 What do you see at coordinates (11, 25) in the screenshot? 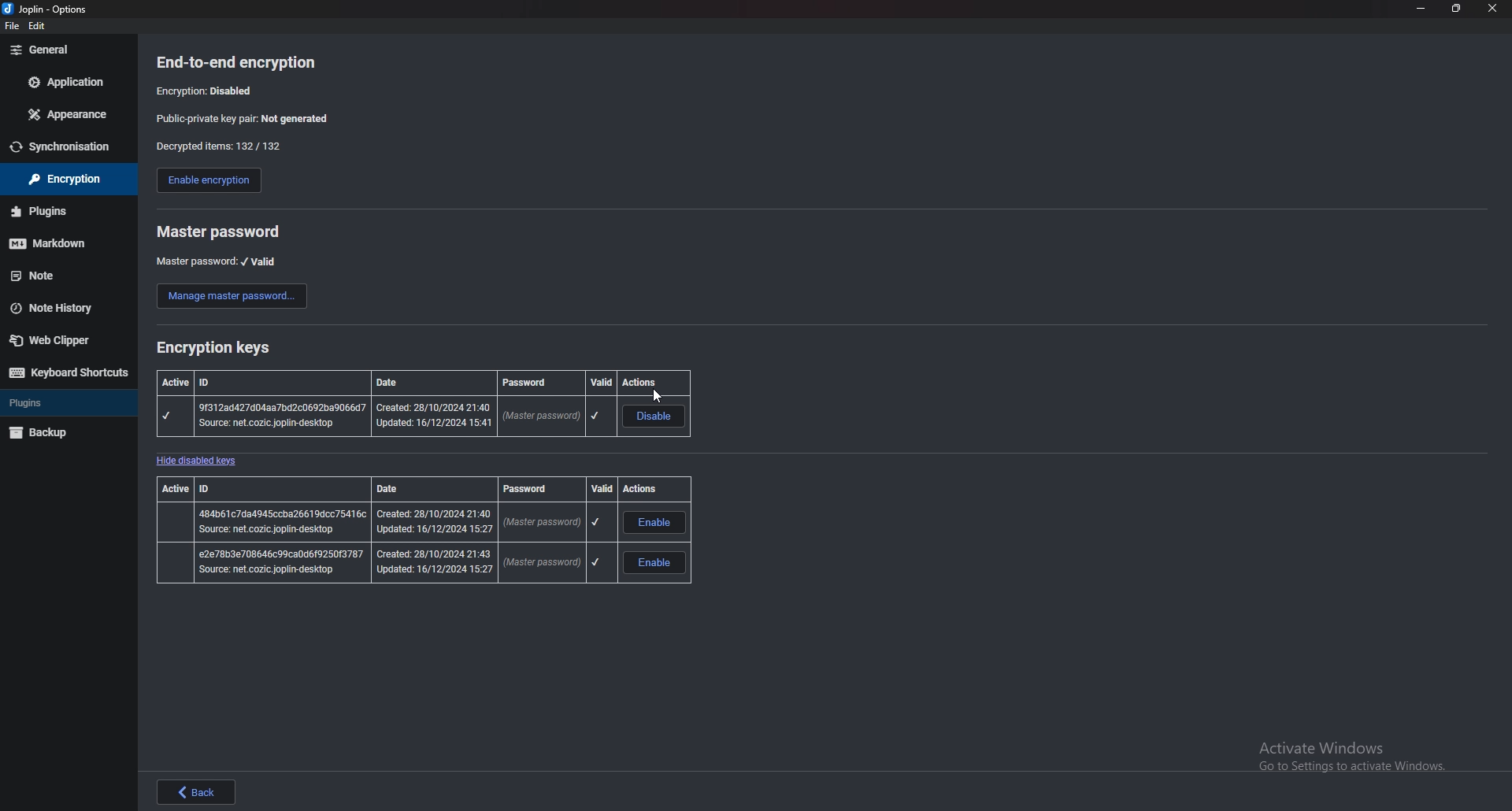
I see `file` at bounding box center [11, 25].